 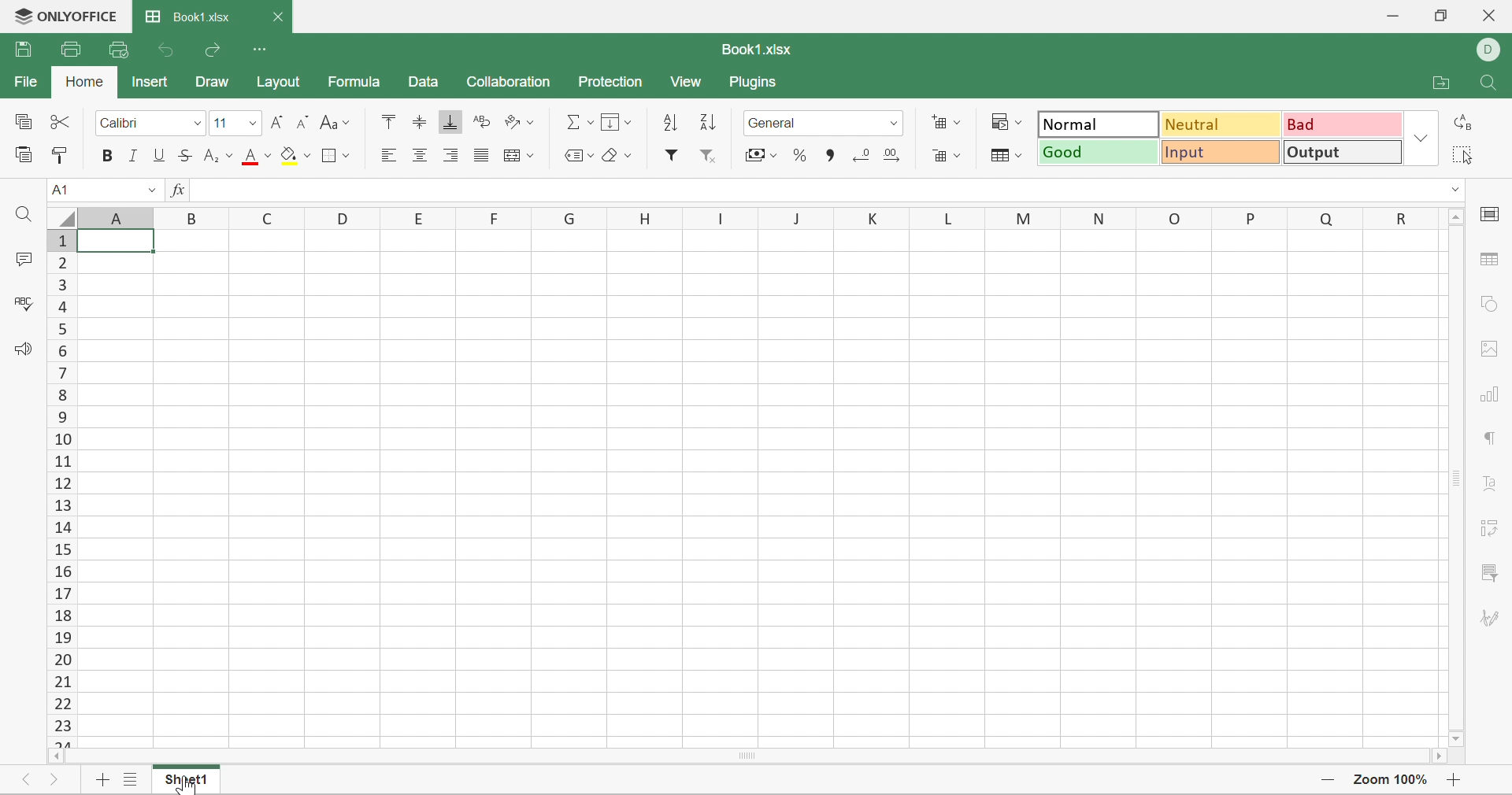 I want to click on Data, so click(x=424, y=83).